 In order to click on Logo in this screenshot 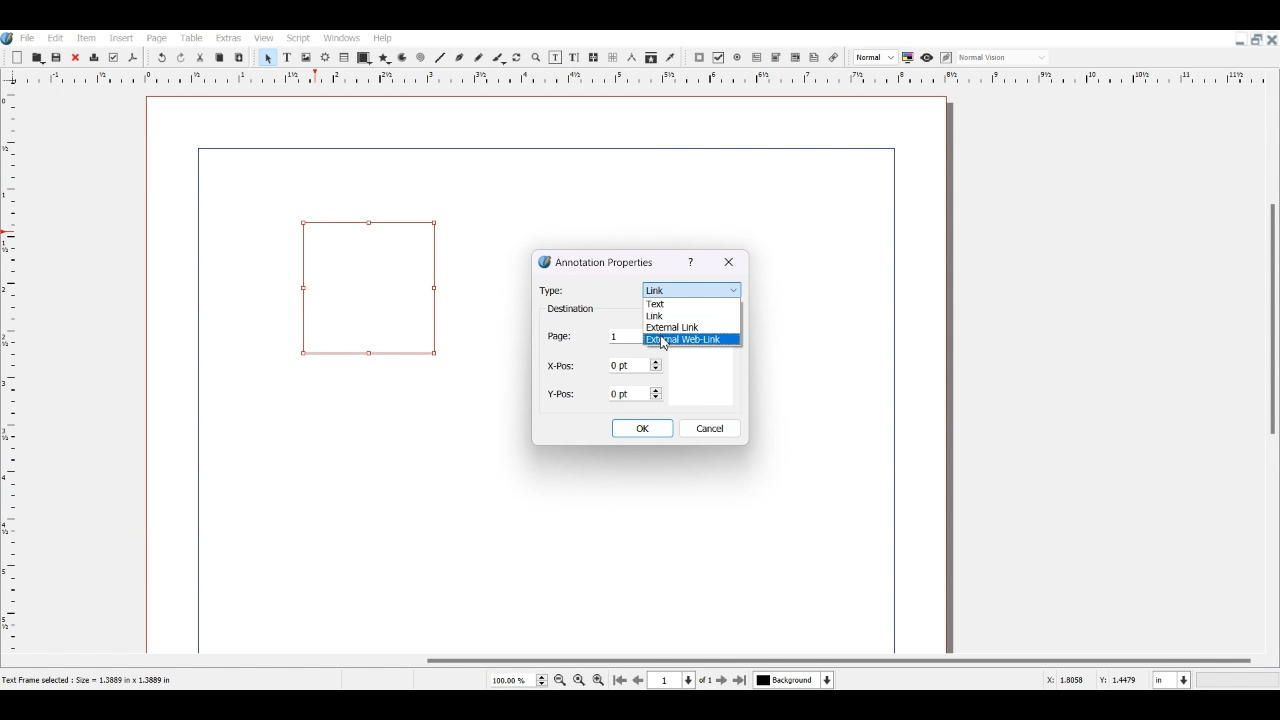, I will do `click(8, 38)`.